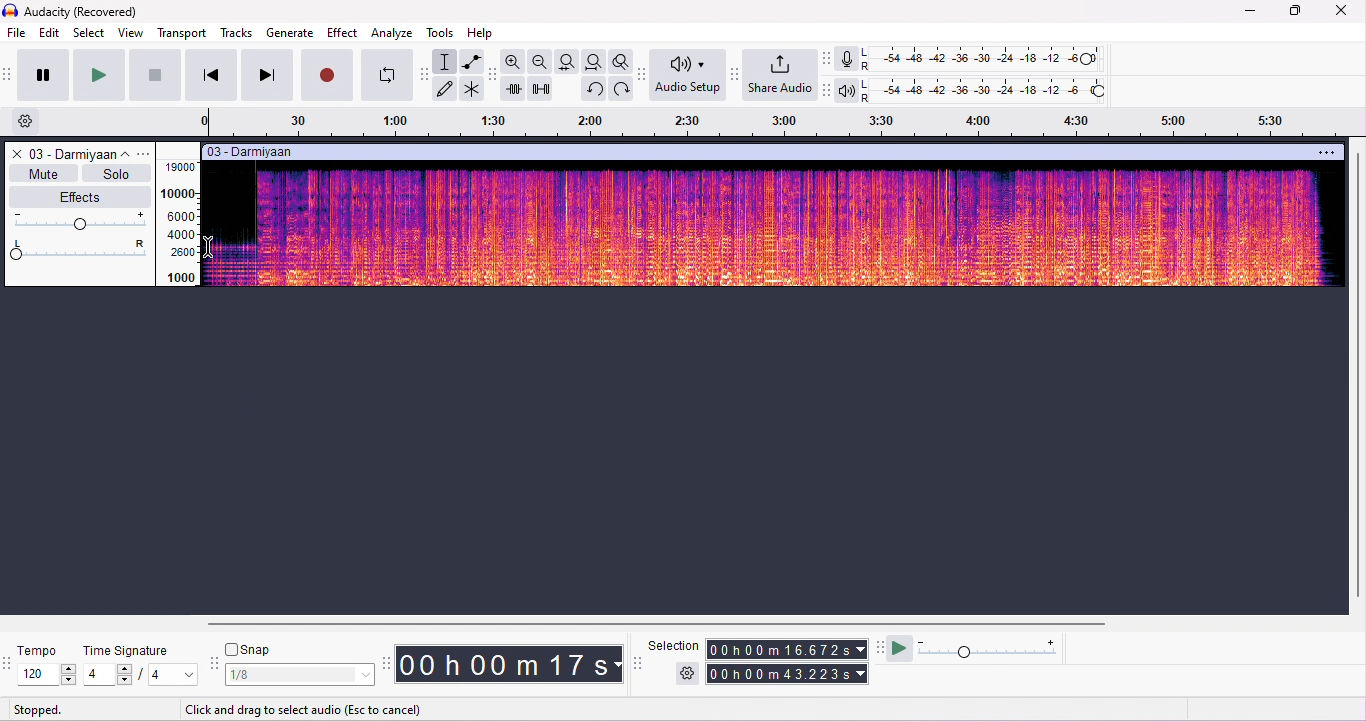 The image size is (1366, 722). Describe the element at coordinates (326, 73) in the screenshot. I see `record` at that location.